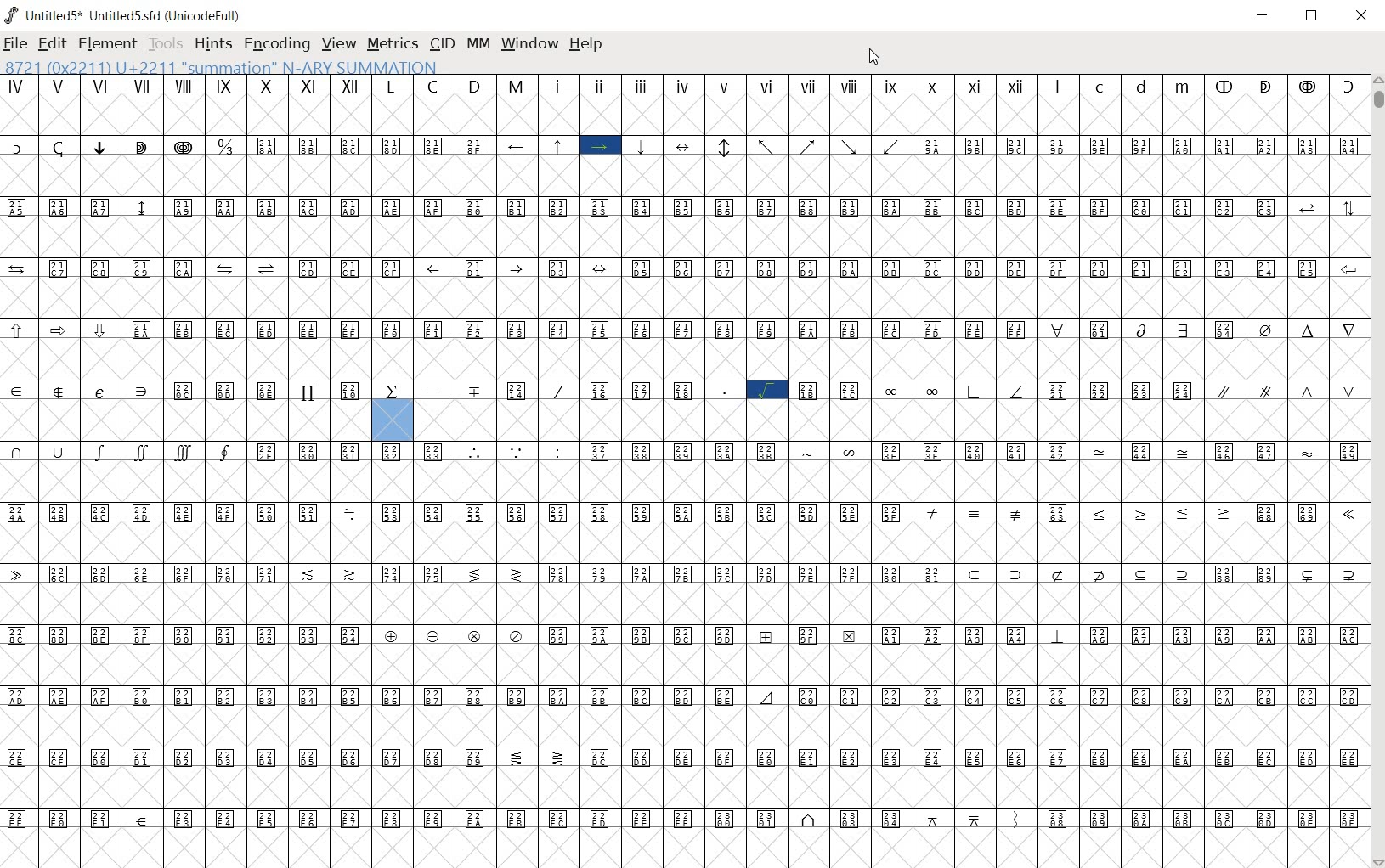  I want to click on WINDOW, so click(529, 44).